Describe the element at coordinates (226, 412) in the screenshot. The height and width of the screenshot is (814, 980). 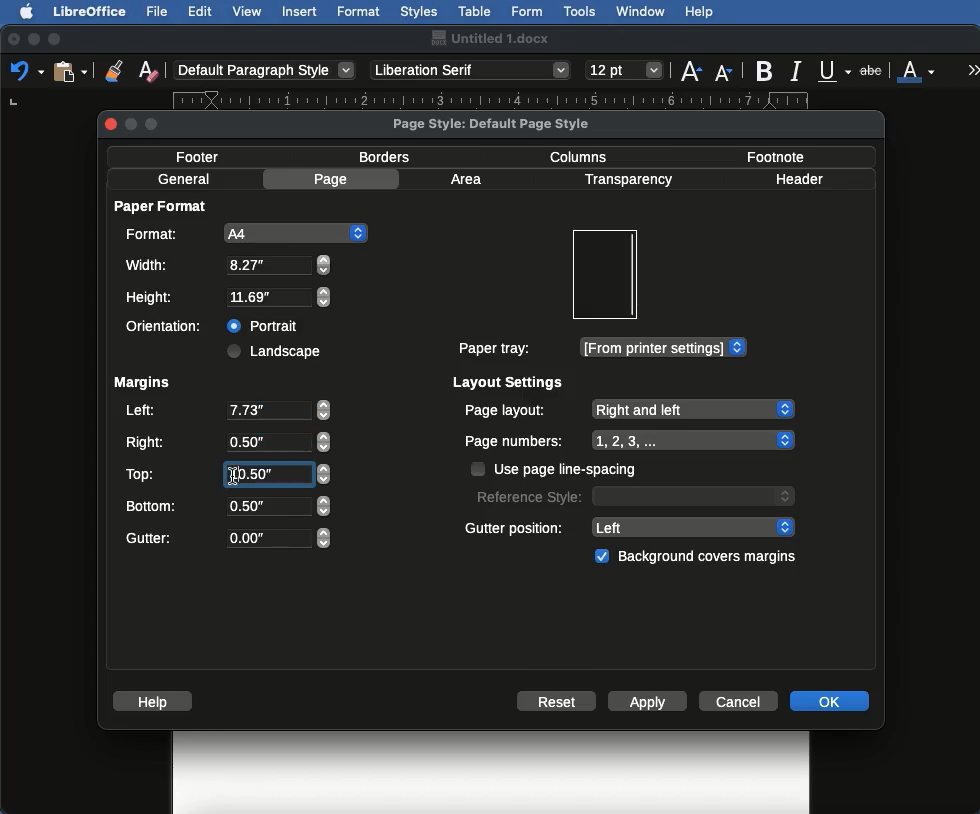
I see `Left` at that location.